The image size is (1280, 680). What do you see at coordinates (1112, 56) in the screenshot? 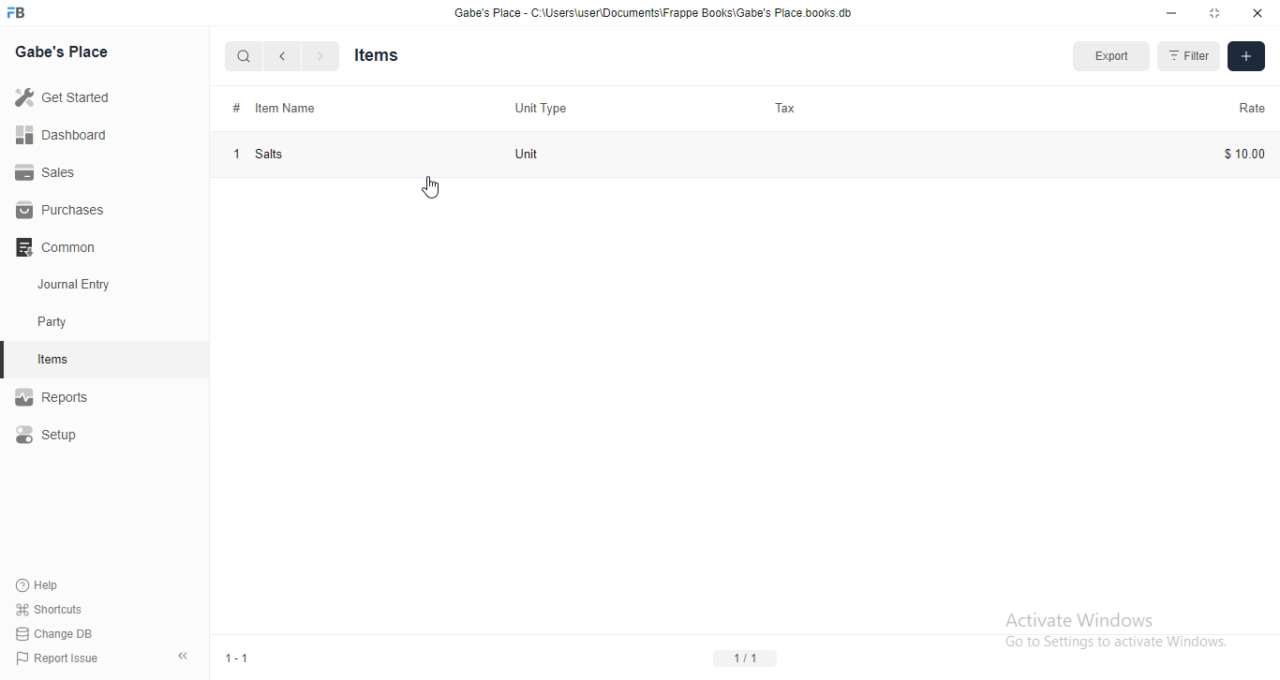
I see `Export.` at bounding box center [1112, 56].